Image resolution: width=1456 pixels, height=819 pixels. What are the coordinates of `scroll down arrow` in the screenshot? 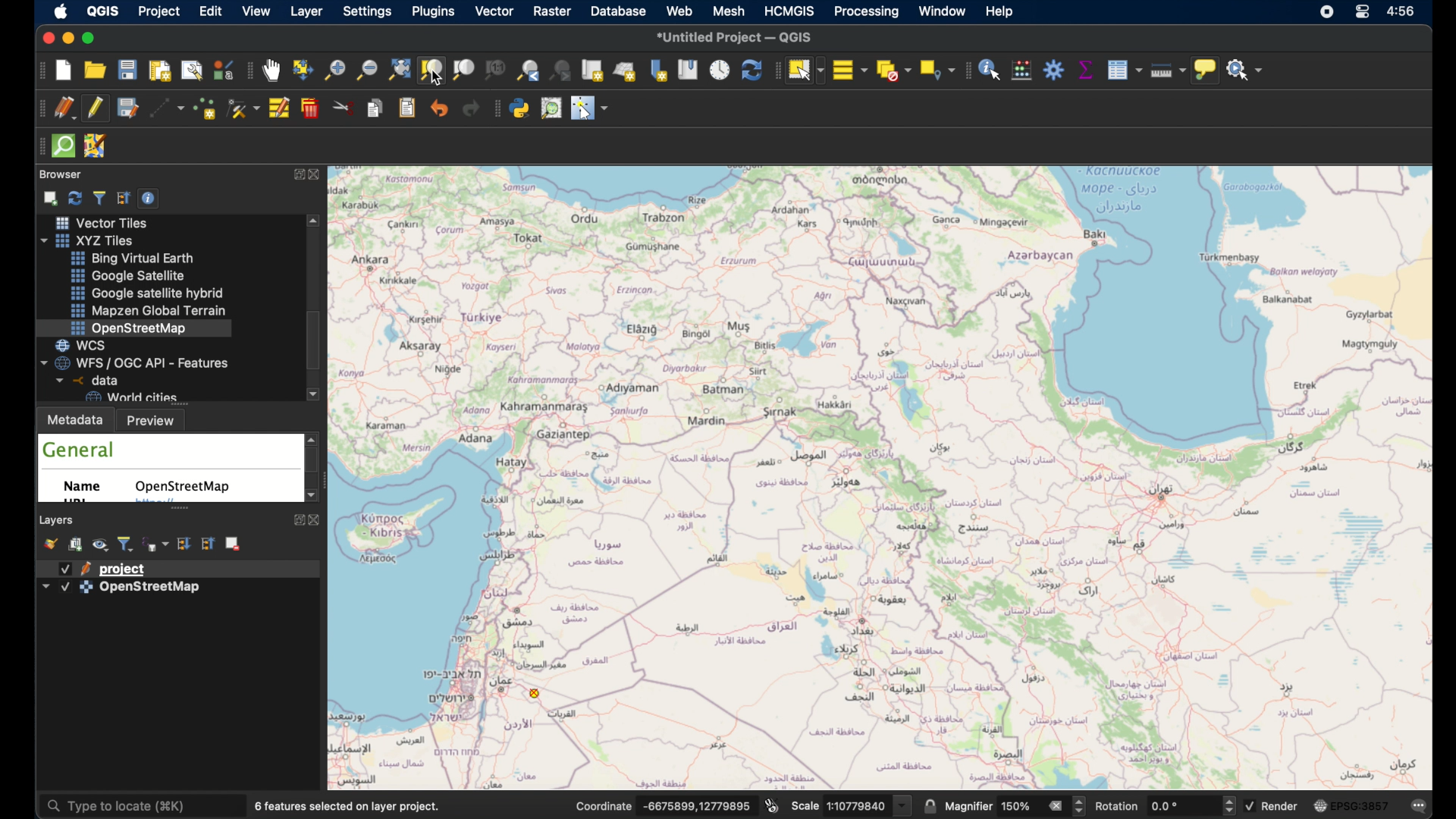 It's located at (315, 395).